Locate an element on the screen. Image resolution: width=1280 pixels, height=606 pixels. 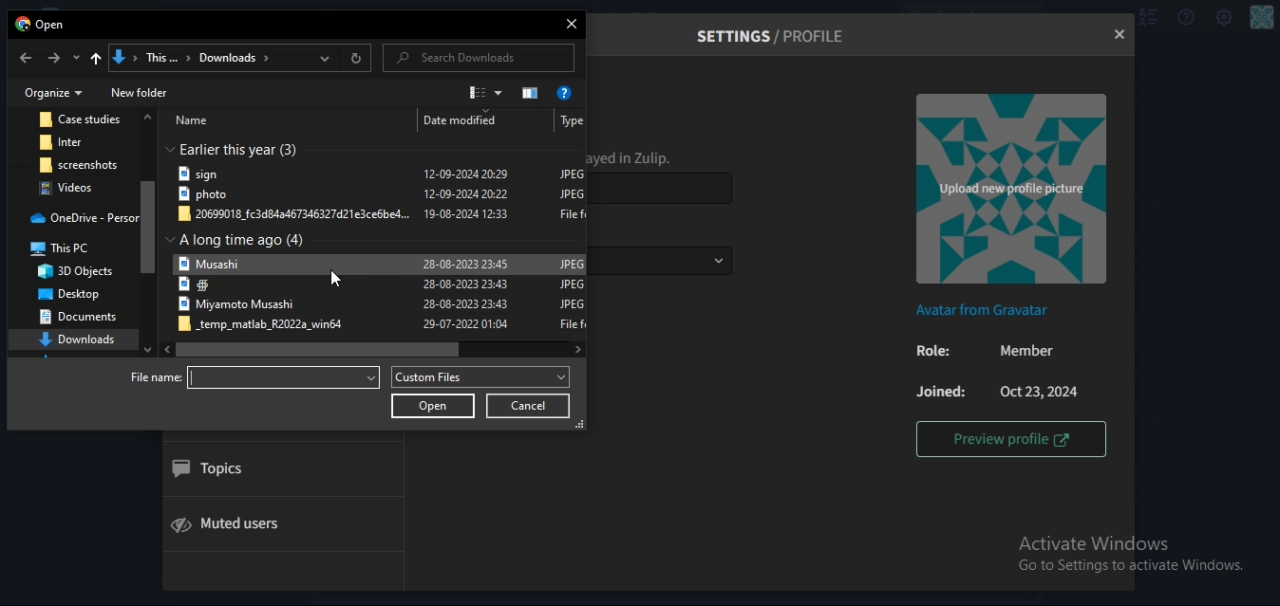
text is located at coordinates (376, 121).